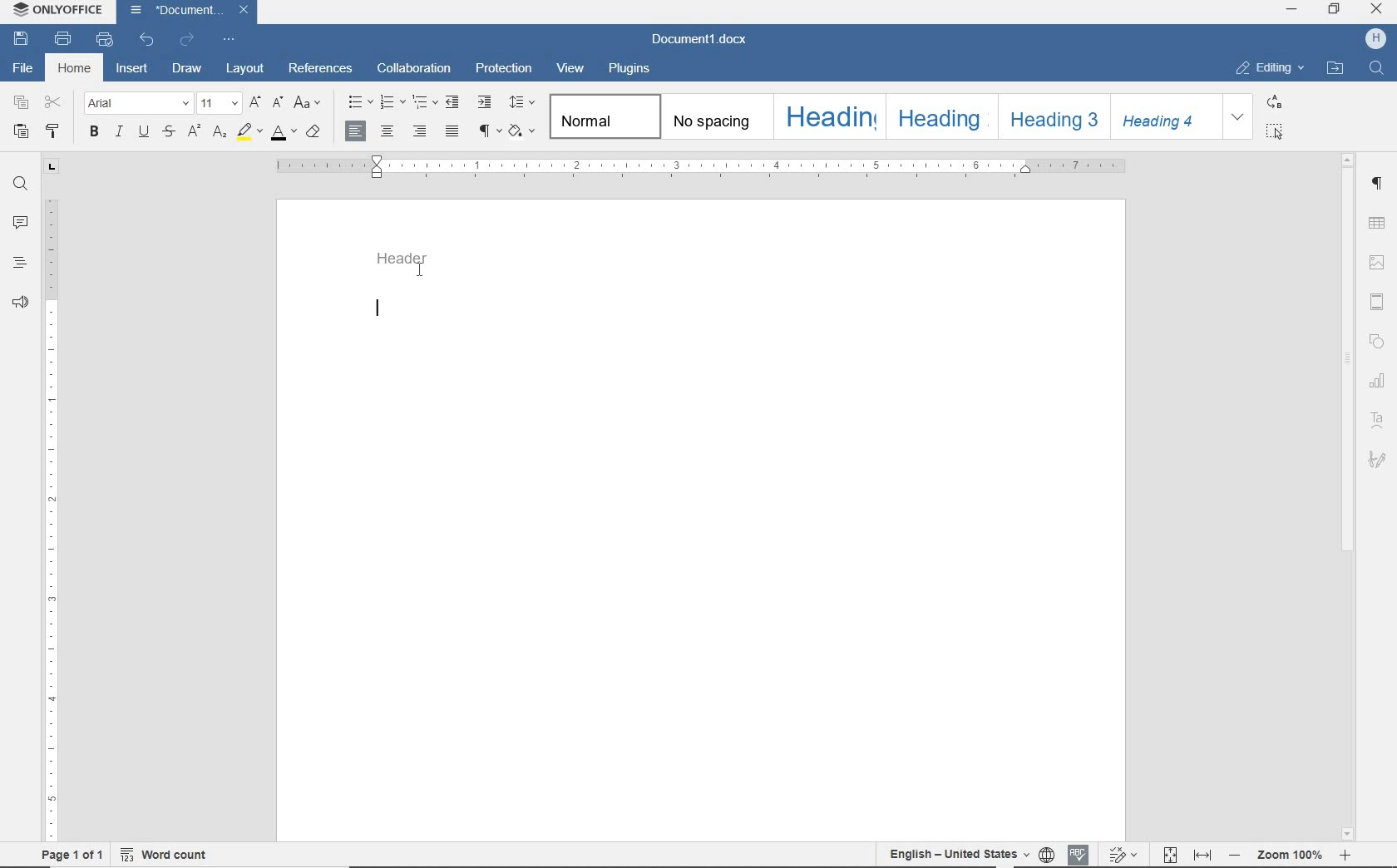  Describe the element at coordinates (22, 38) in the screenshot. I see `save` at that location.